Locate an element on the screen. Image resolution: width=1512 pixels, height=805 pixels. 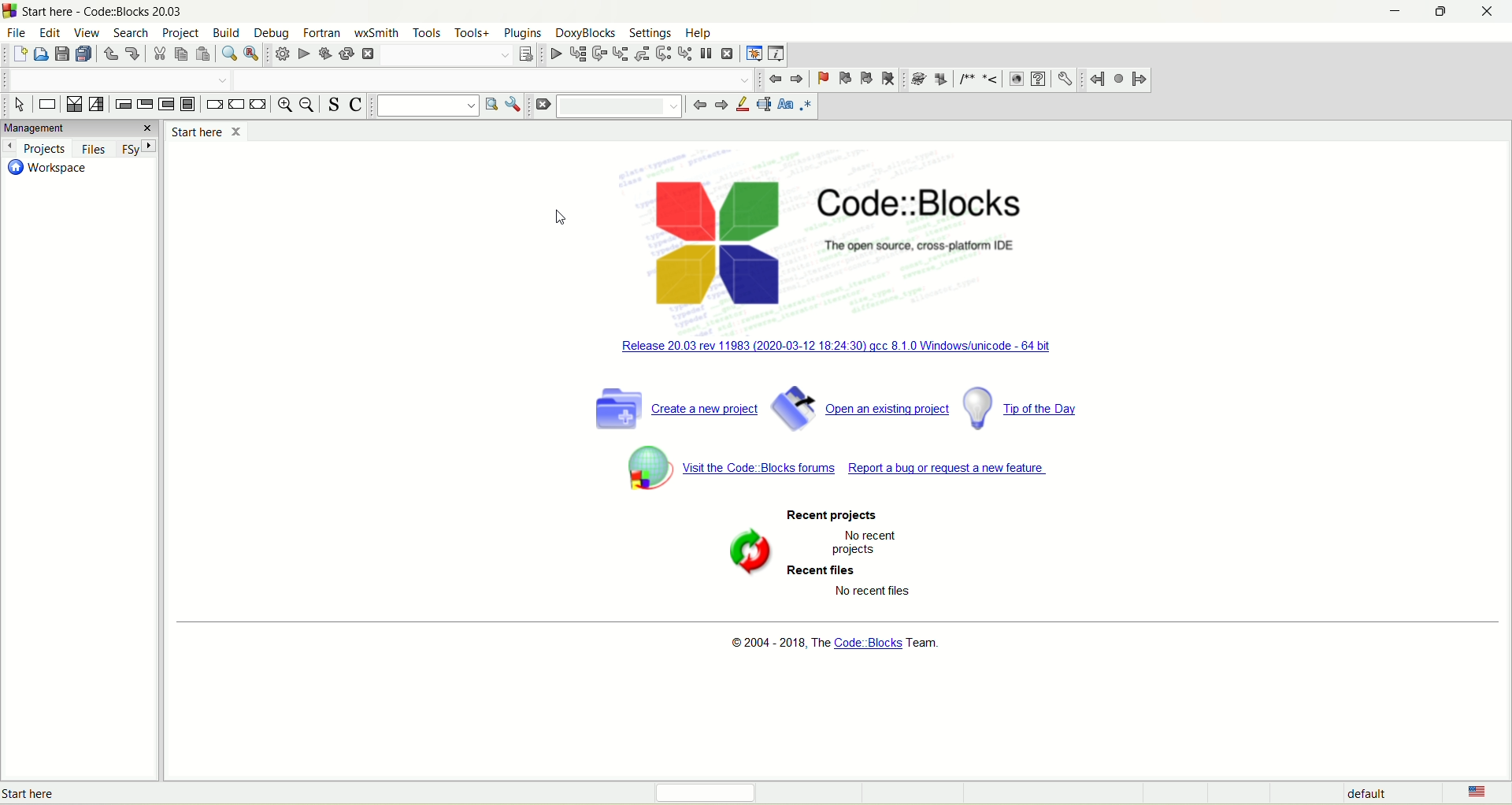
entry condition loop is located at coordinates (122, 104).